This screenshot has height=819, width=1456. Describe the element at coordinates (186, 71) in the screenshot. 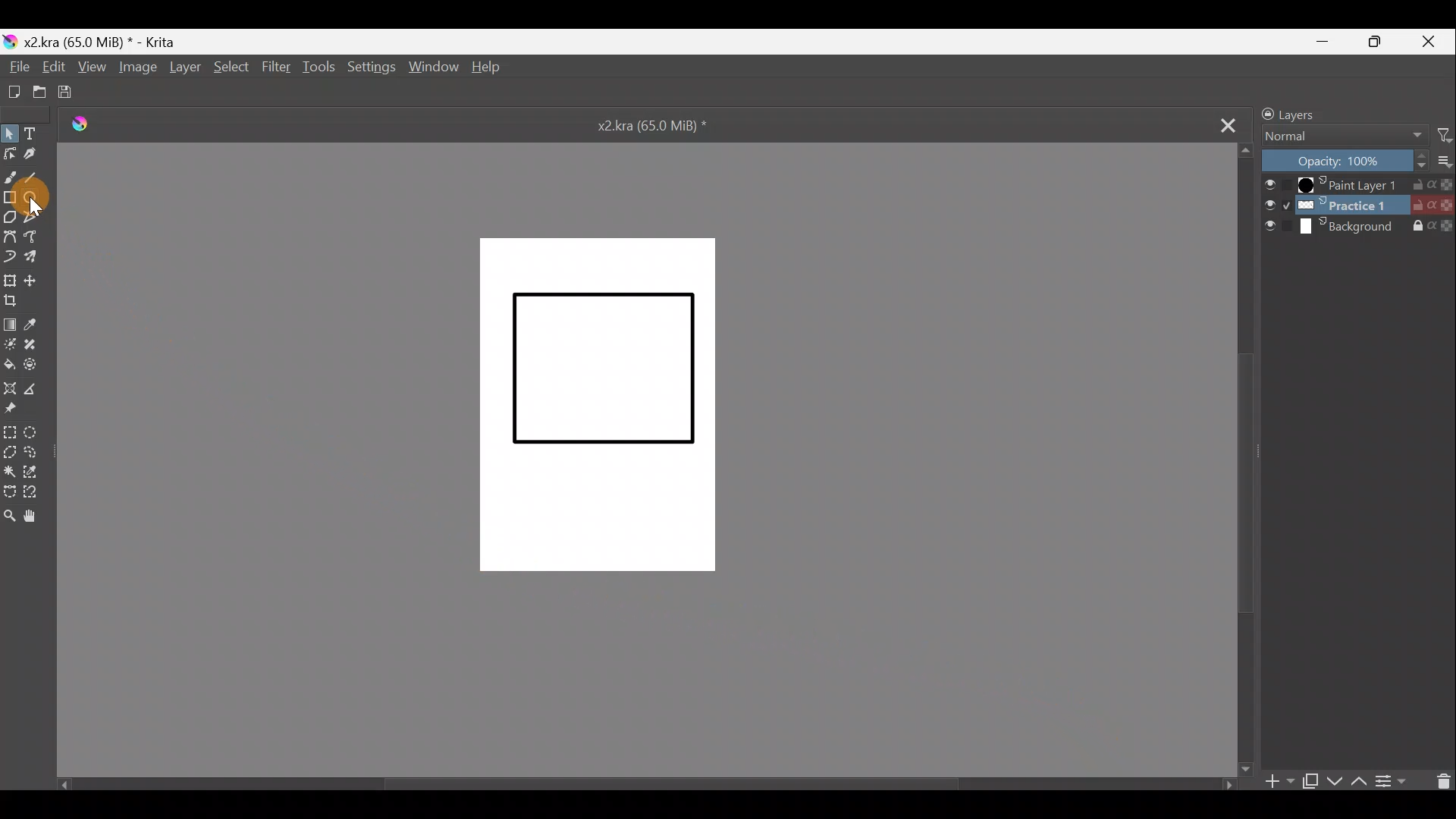

I see `Layer` at that location.